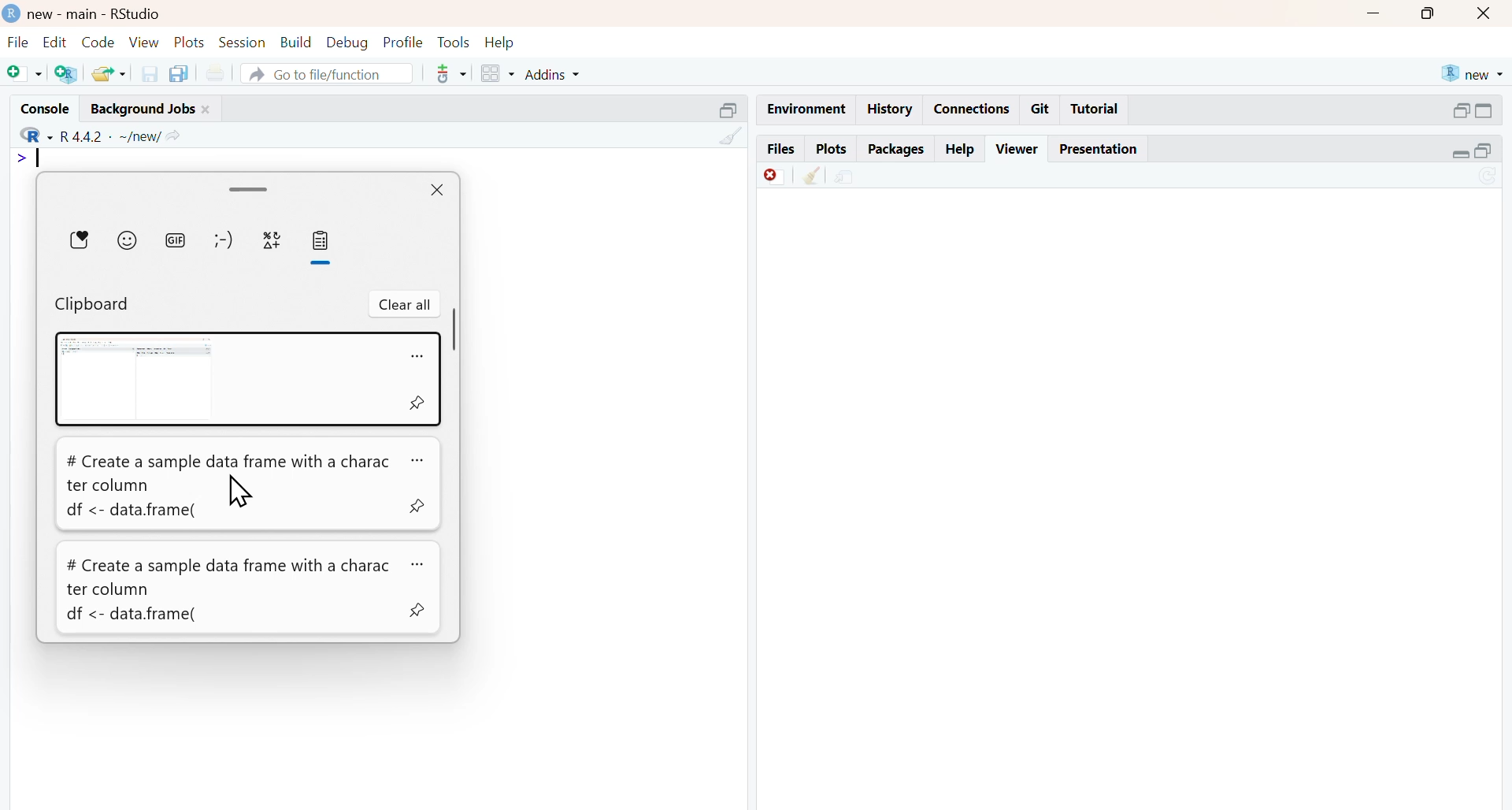  What do you see at coordinates (732, 136) in the screenshot?
I see `clean` at bounding box center [732, 136].